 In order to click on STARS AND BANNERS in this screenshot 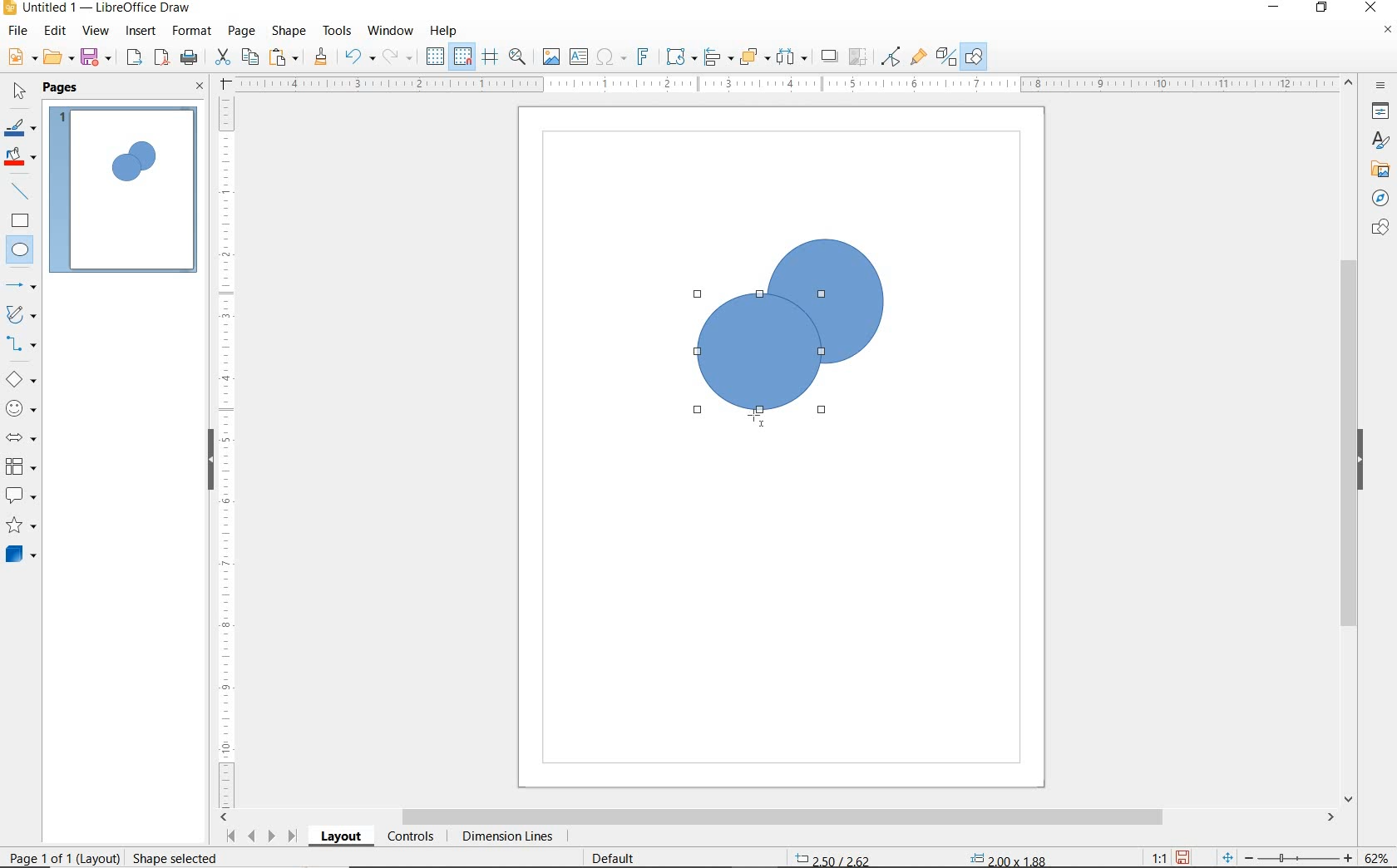, I will do `click(21, 527)`.